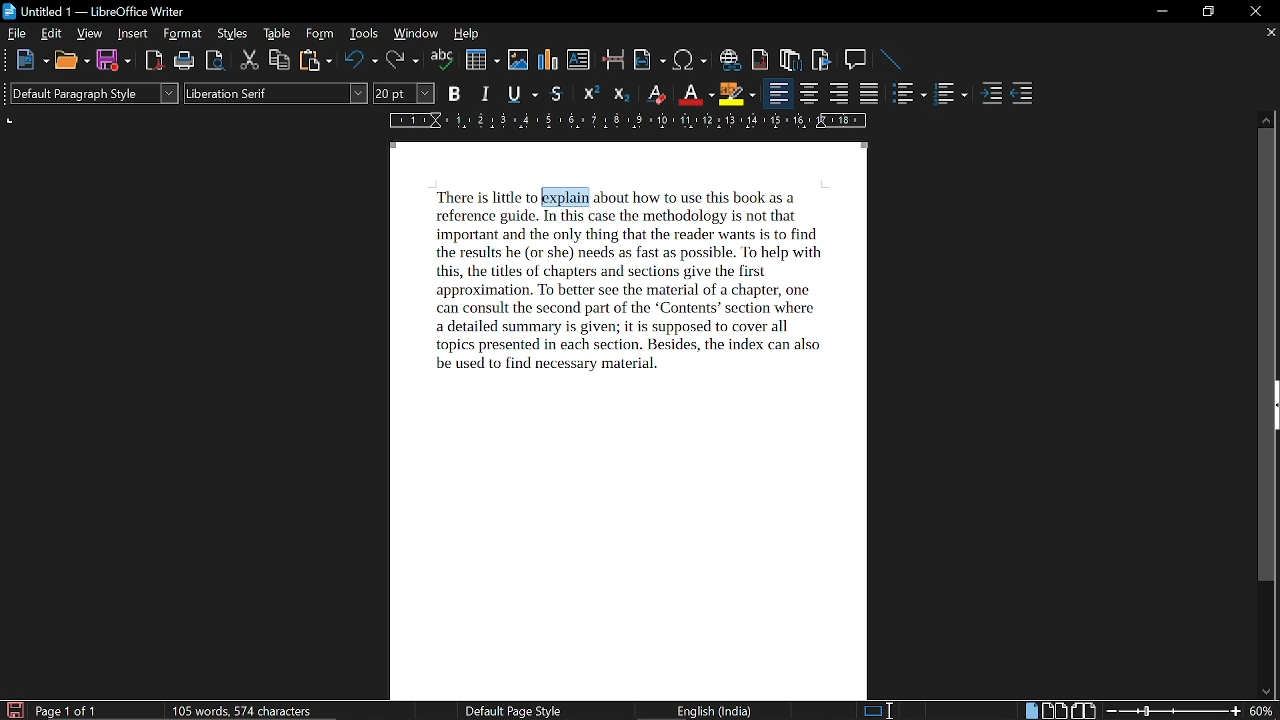  I want to click on single page view, so click(1030, 711).